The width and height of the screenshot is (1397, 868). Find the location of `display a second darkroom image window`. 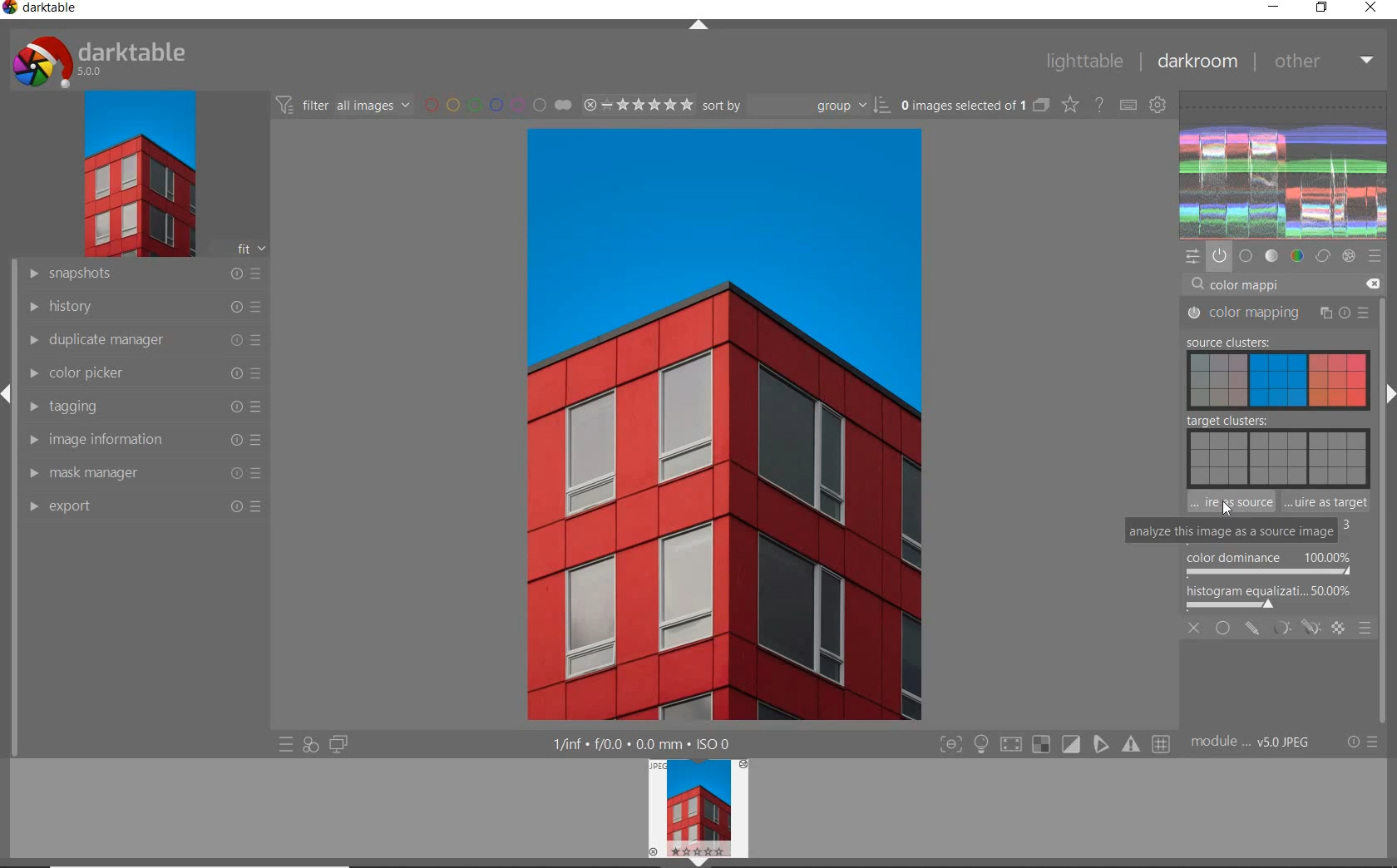

display a second darkroom image window is located at coordinates (336, 747).